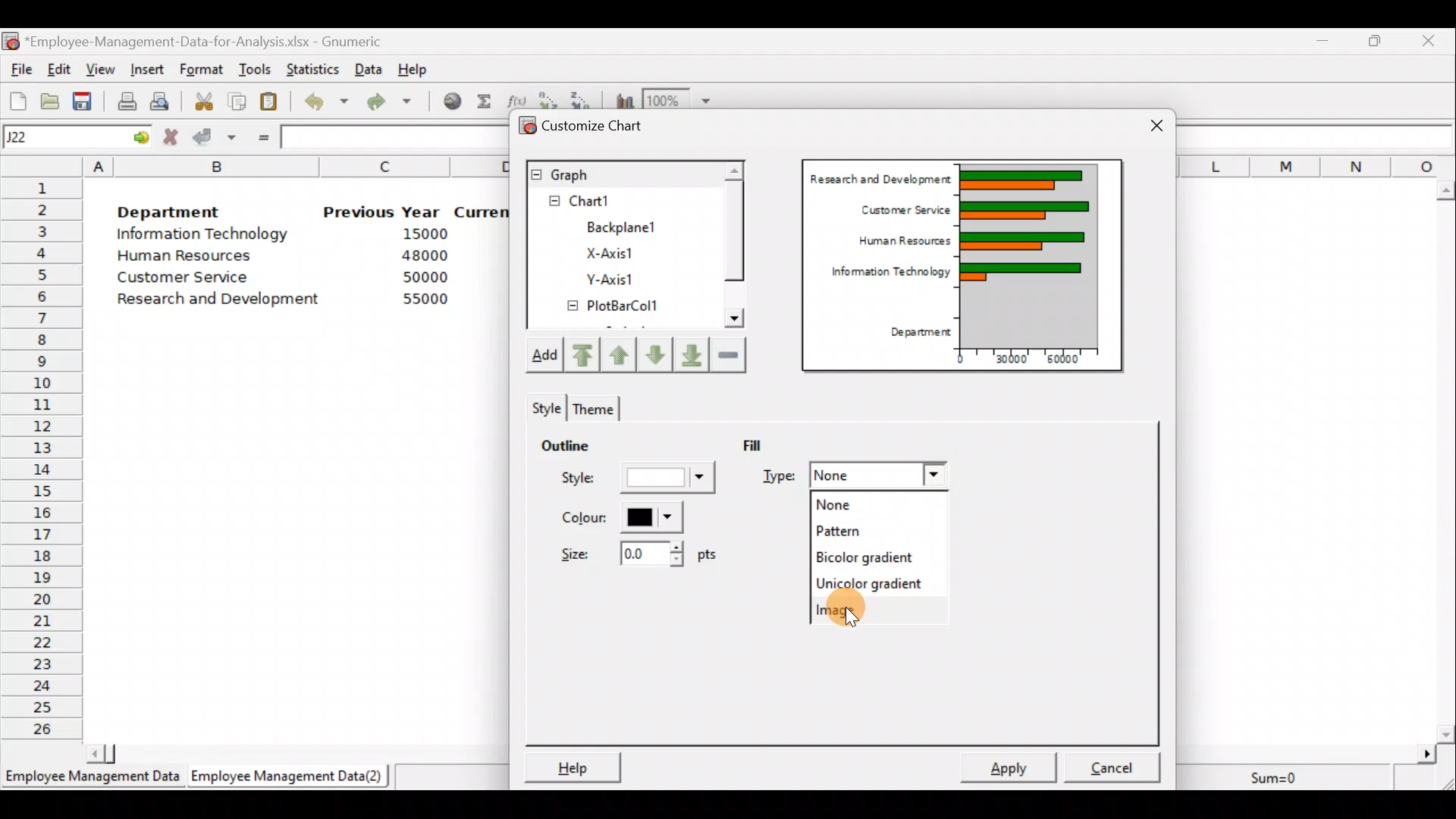 This screenshot has width=1456, height=819. What do you see at coordinates (206, 104) in the screenshot?
I see `Cut the selection` at bounding box center [206, 104].